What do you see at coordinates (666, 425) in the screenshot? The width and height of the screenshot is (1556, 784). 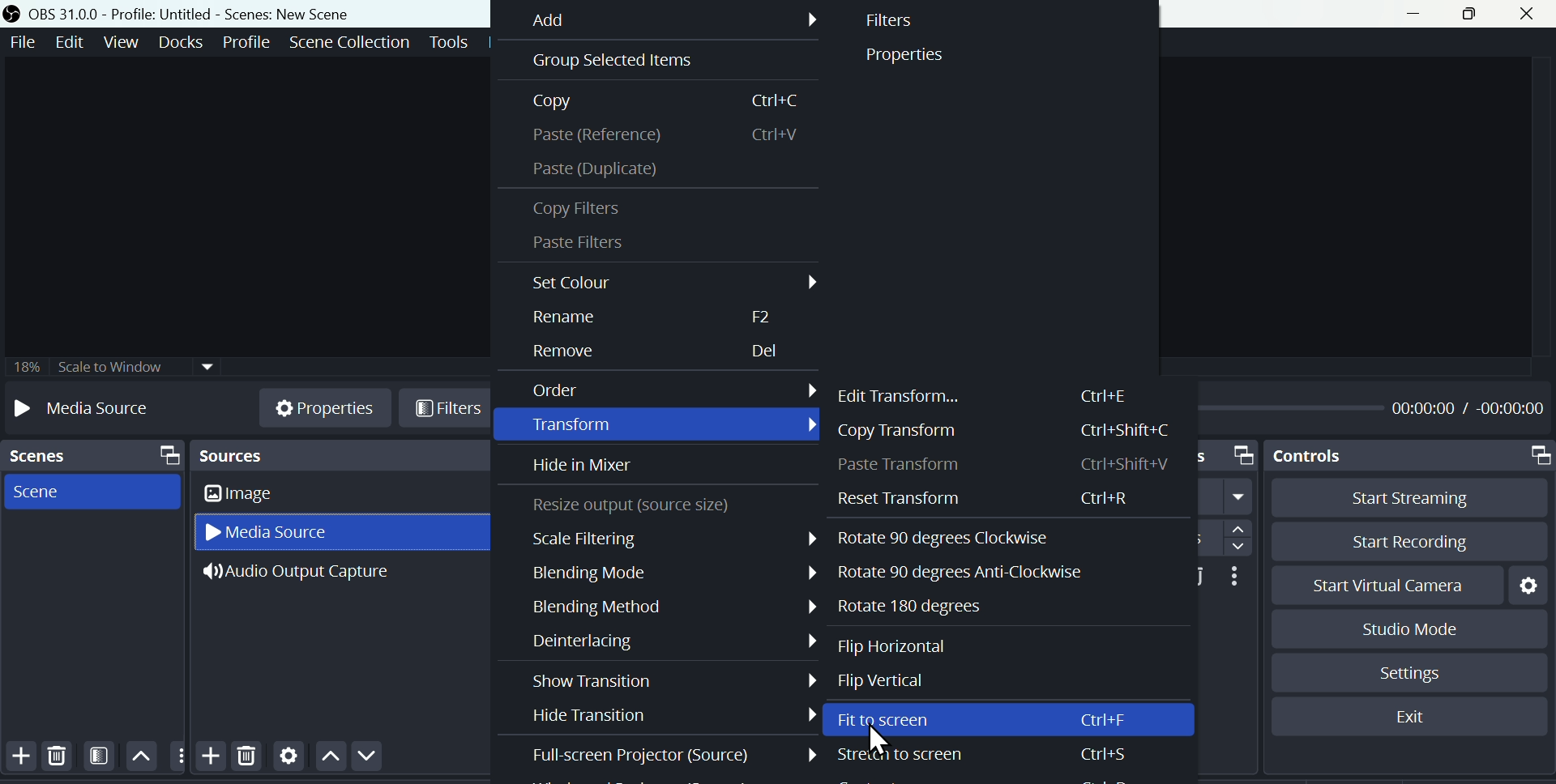 I see `Transform` at bounding box center [666, 425].